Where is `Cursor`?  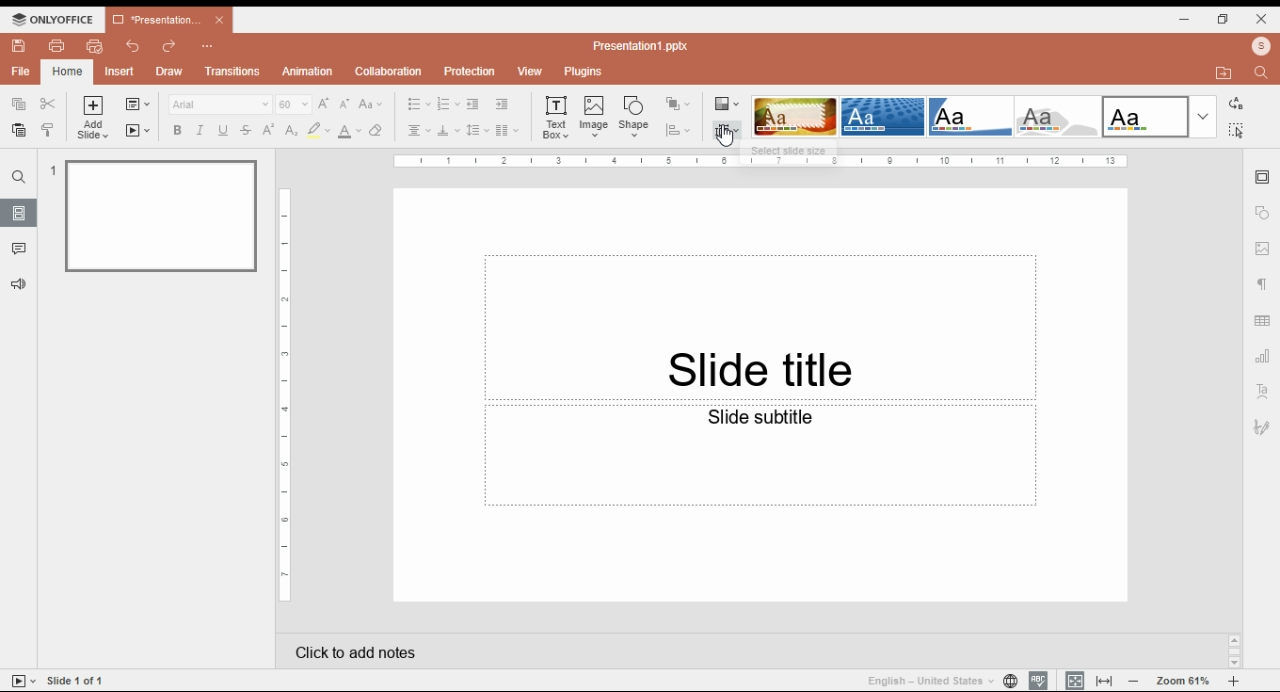 Cursor is located at coordinates (726, 139).